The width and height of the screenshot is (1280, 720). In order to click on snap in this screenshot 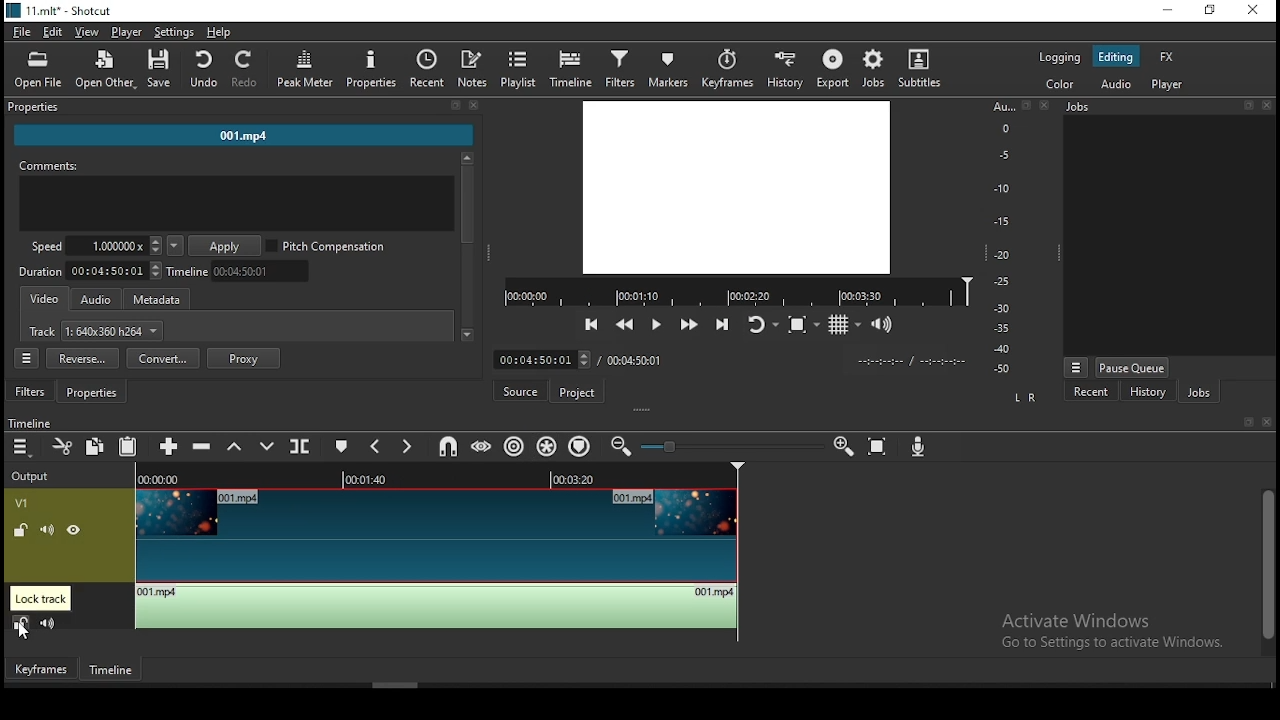, I will do `click(443, 447)`.